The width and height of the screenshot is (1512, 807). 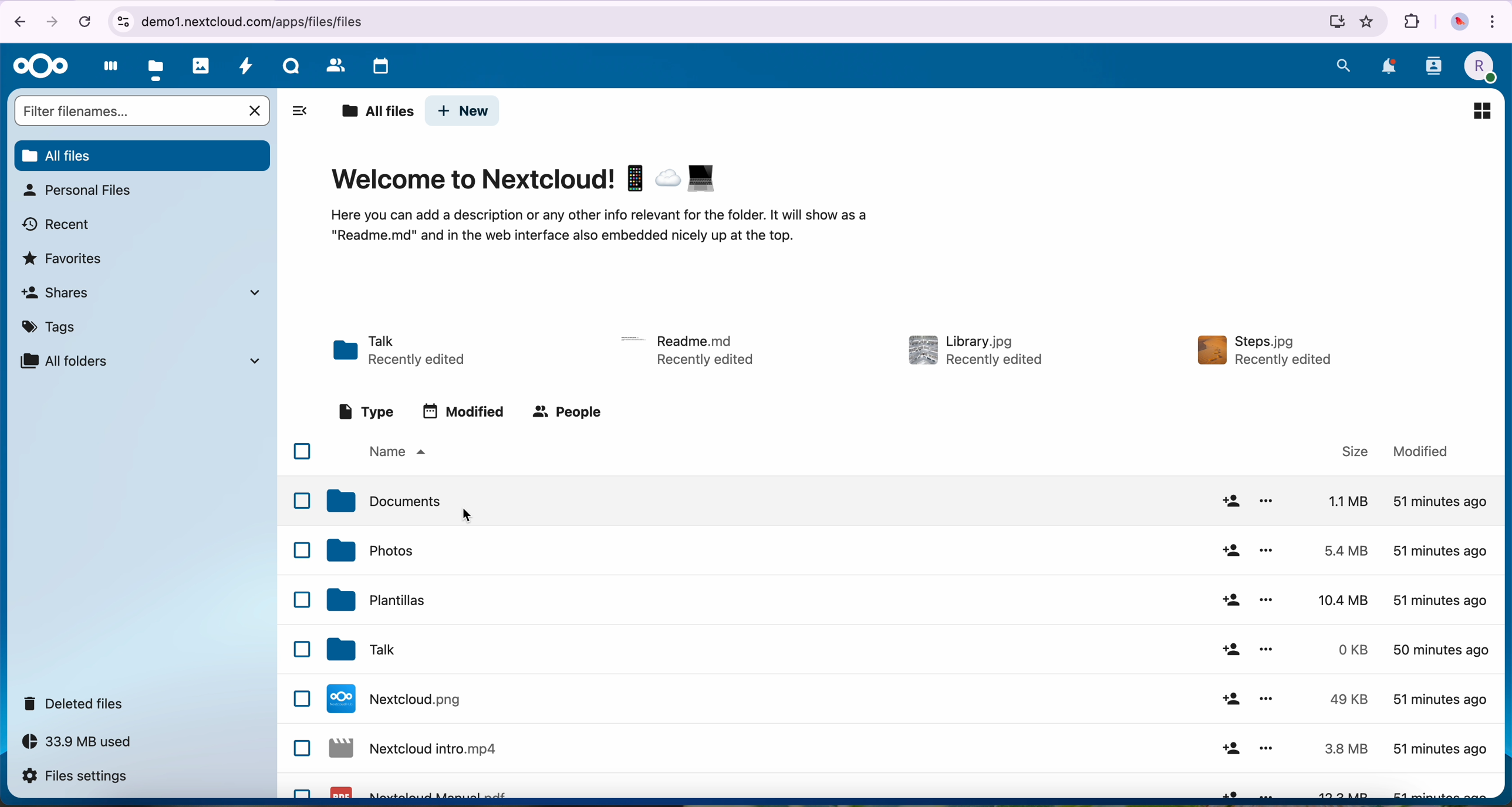 I want to click on modified, so click(x=1440, y=501).